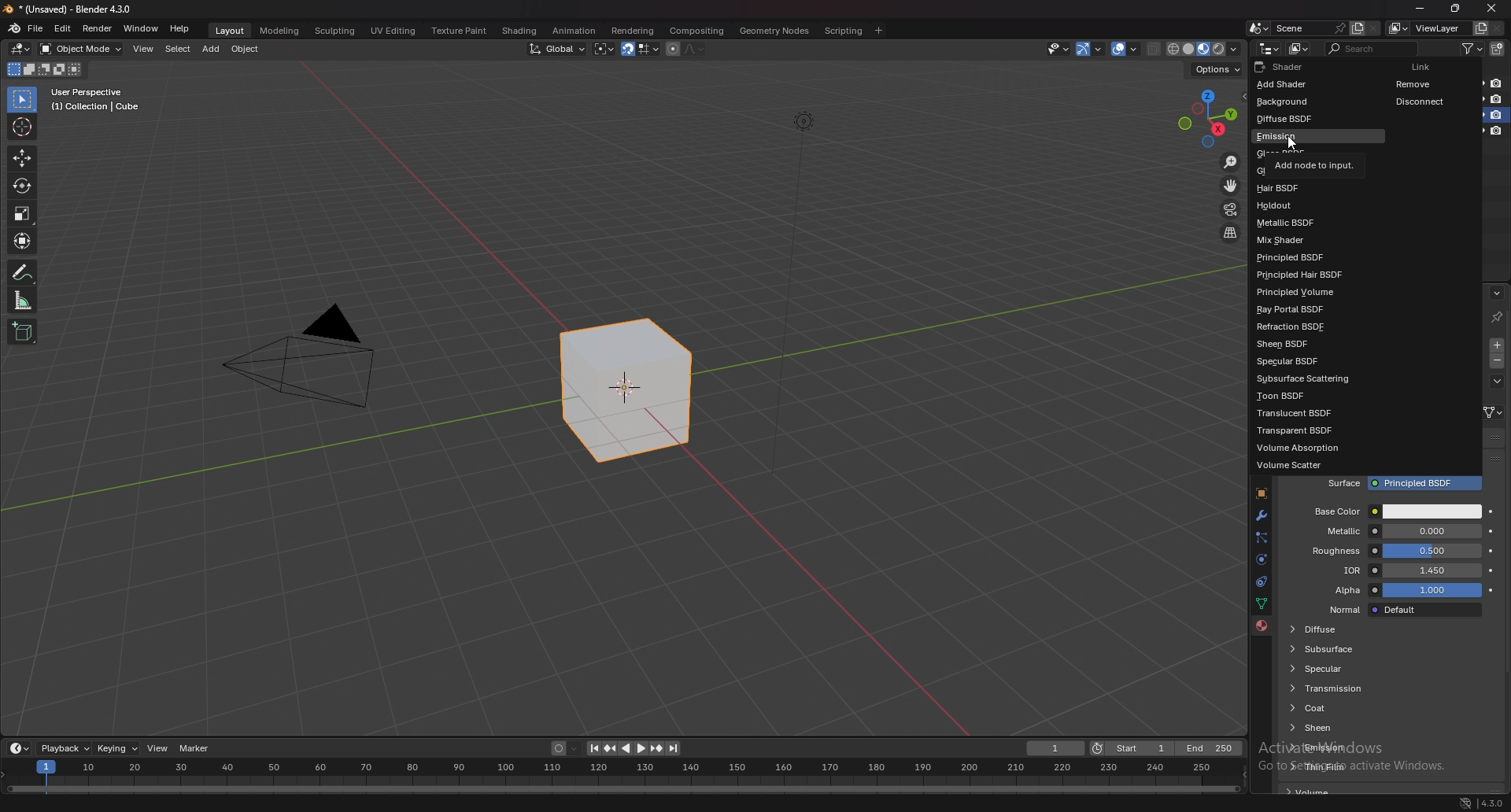  Describe the element at coordinates (626, 392) in the screenshot. I see `cube` at that location.